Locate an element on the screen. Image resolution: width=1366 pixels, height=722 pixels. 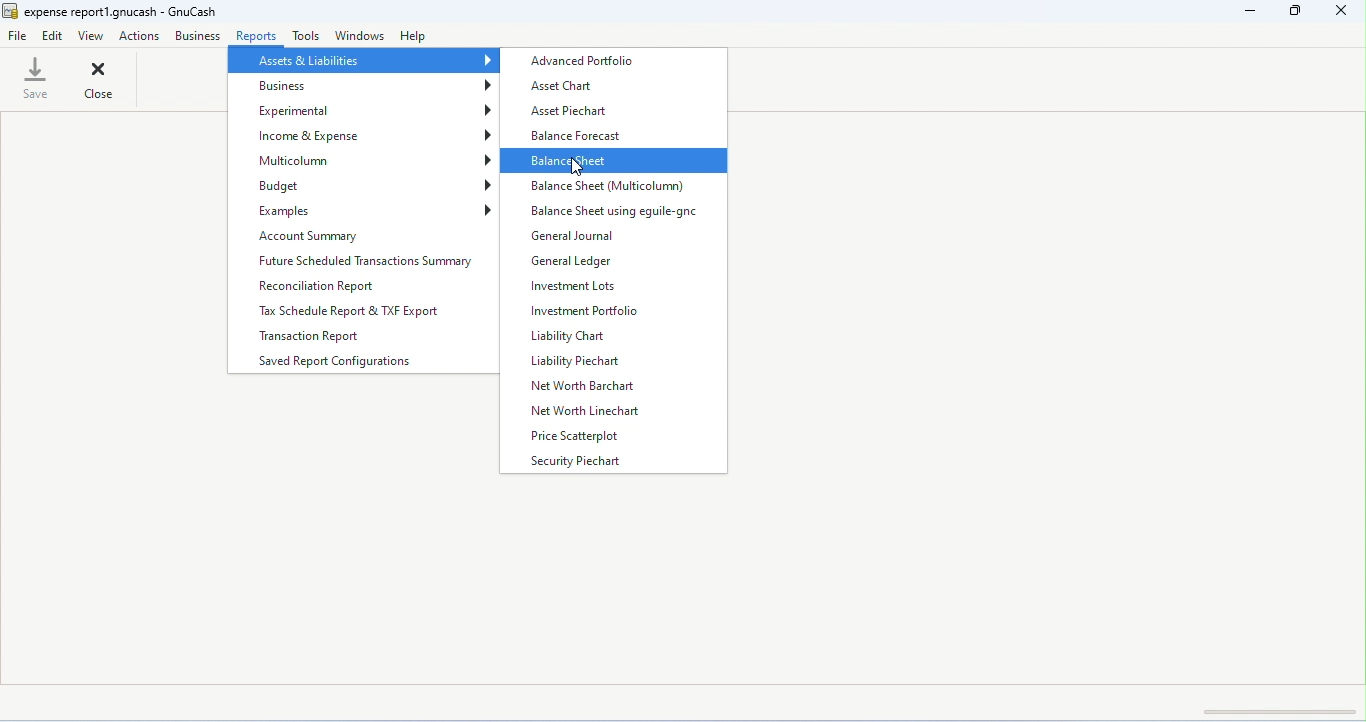
business is located at coordinates (365, 86).